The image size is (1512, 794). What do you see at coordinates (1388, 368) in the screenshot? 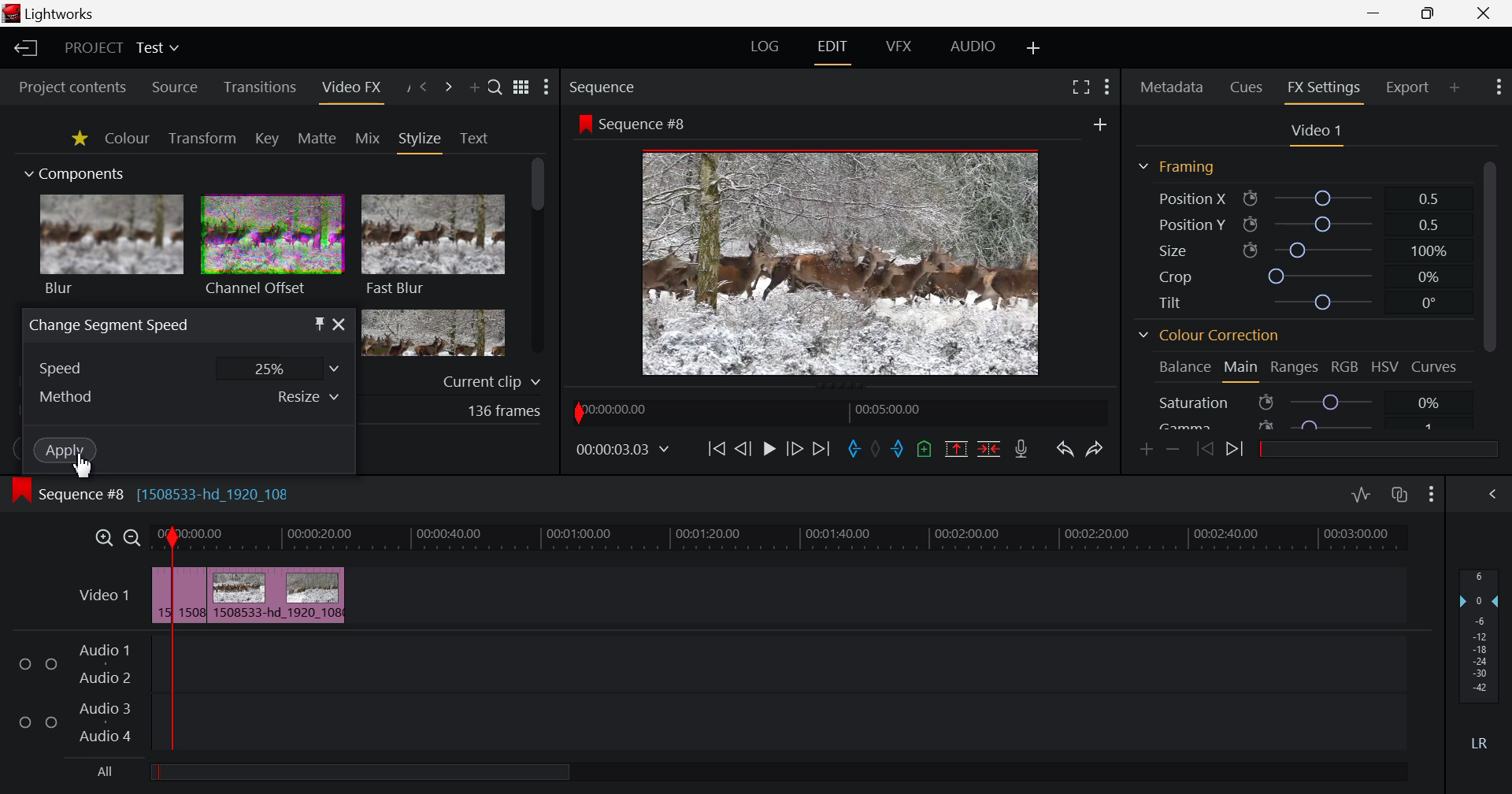
I see `HSV` at bounding box center [1388, 368].